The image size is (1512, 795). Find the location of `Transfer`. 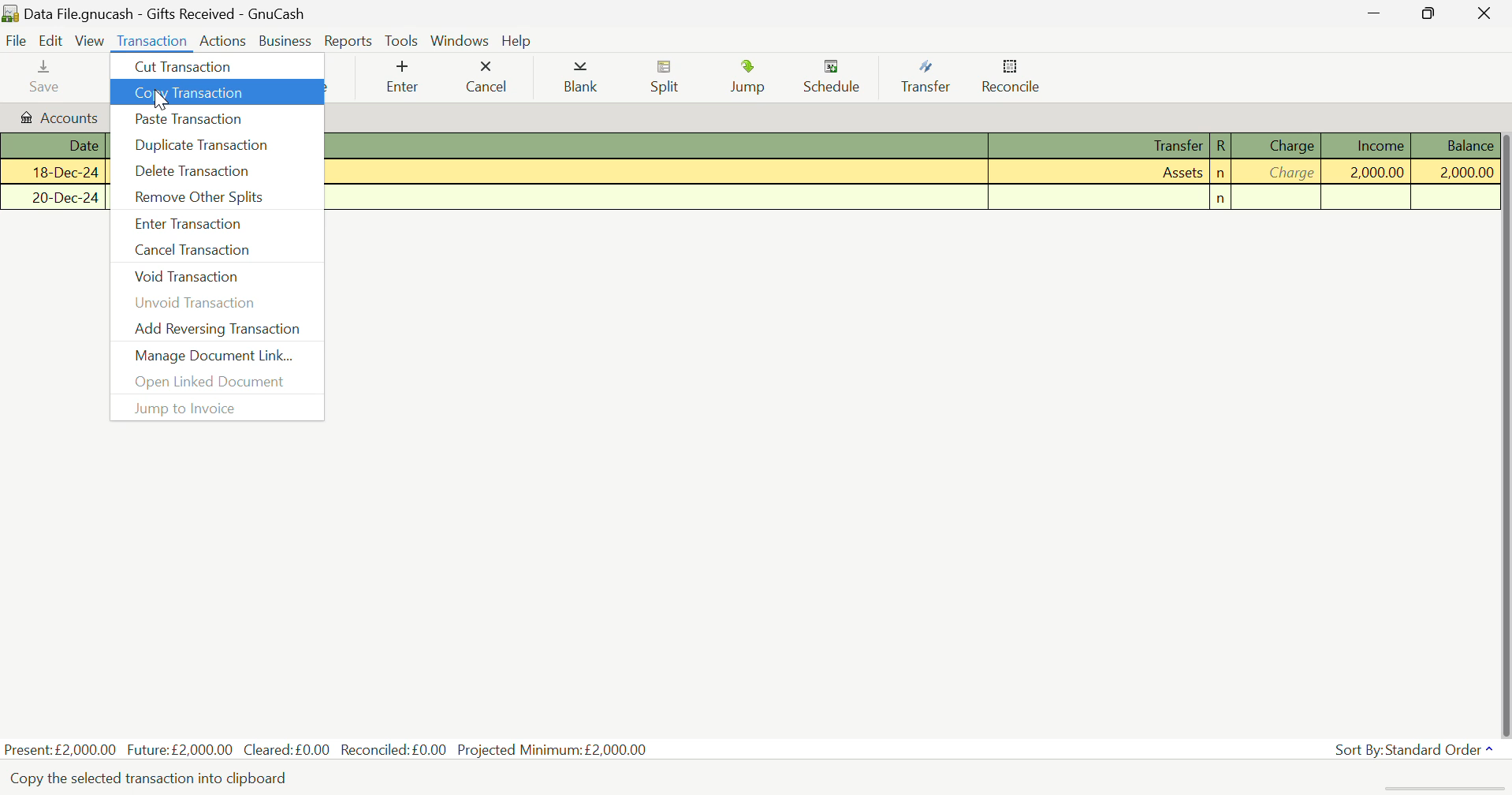

Transfer is located at coordinates (932, 77).